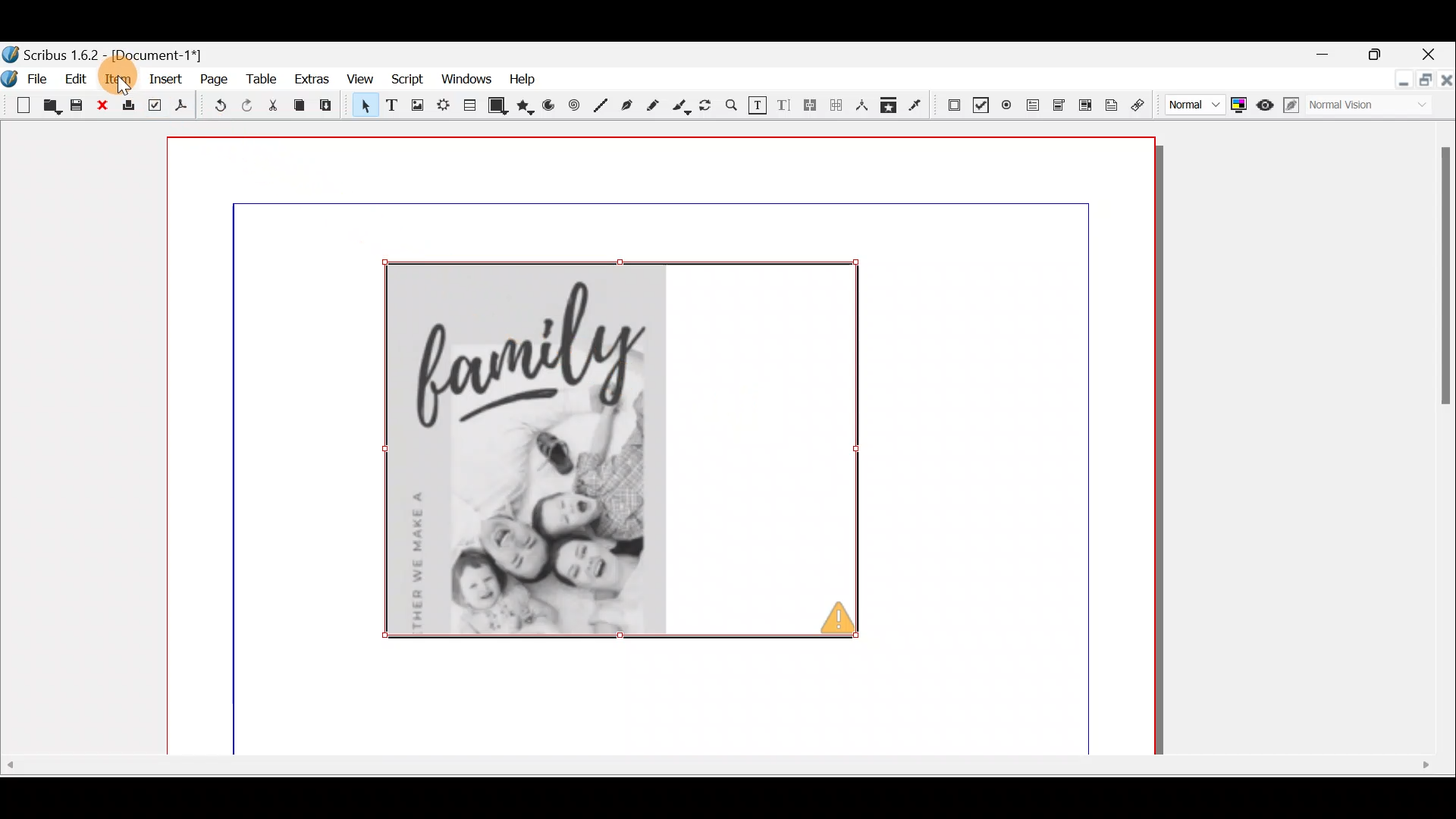 This screenshot has height=819, width=1456. Describe the element at coordinates (1240, 105) in the screenshot. I see `Toggle colour management system` at that location.